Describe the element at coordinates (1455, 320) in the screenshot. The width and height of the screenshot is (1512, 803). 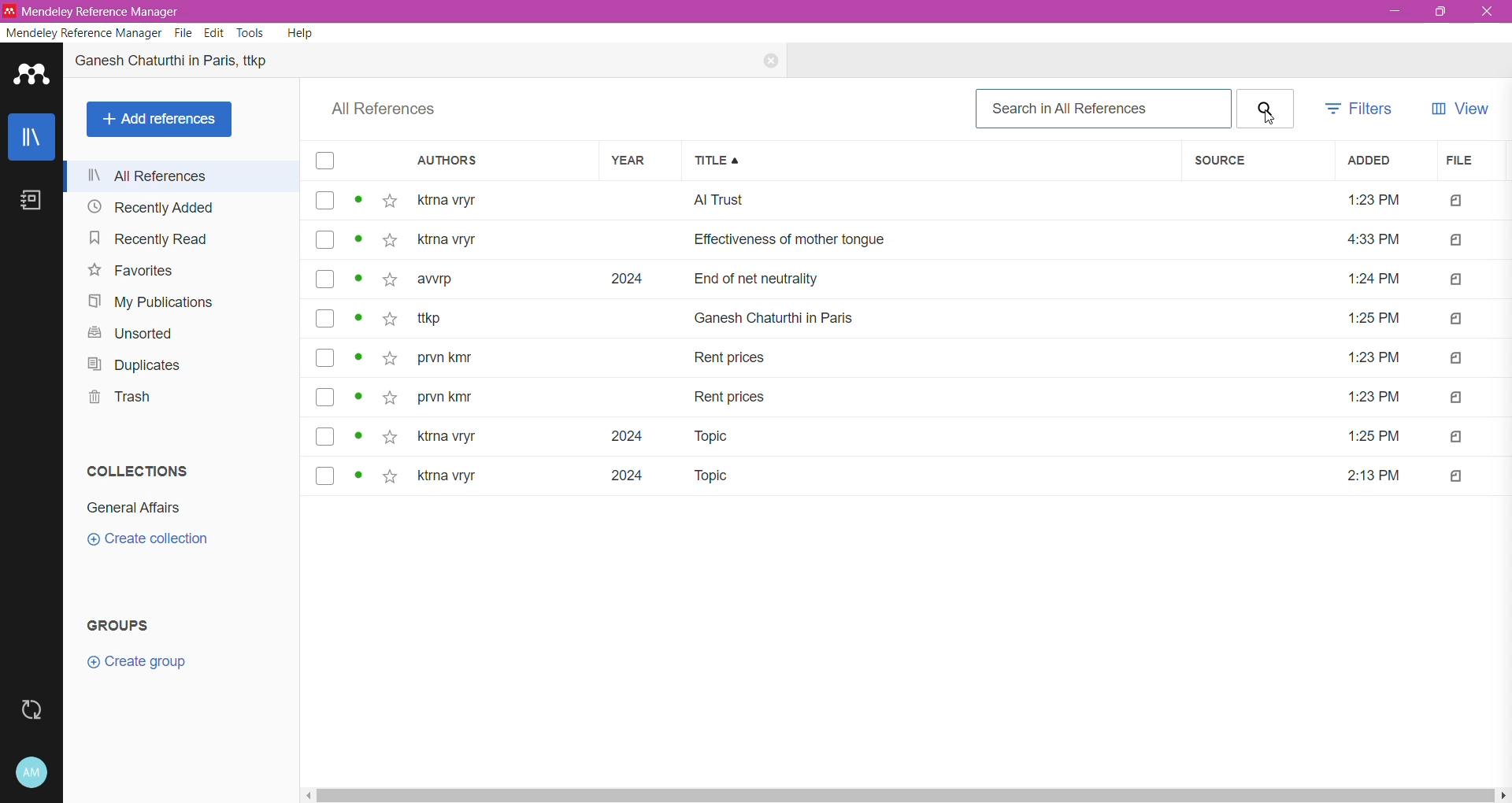
I see `file type` at that location.